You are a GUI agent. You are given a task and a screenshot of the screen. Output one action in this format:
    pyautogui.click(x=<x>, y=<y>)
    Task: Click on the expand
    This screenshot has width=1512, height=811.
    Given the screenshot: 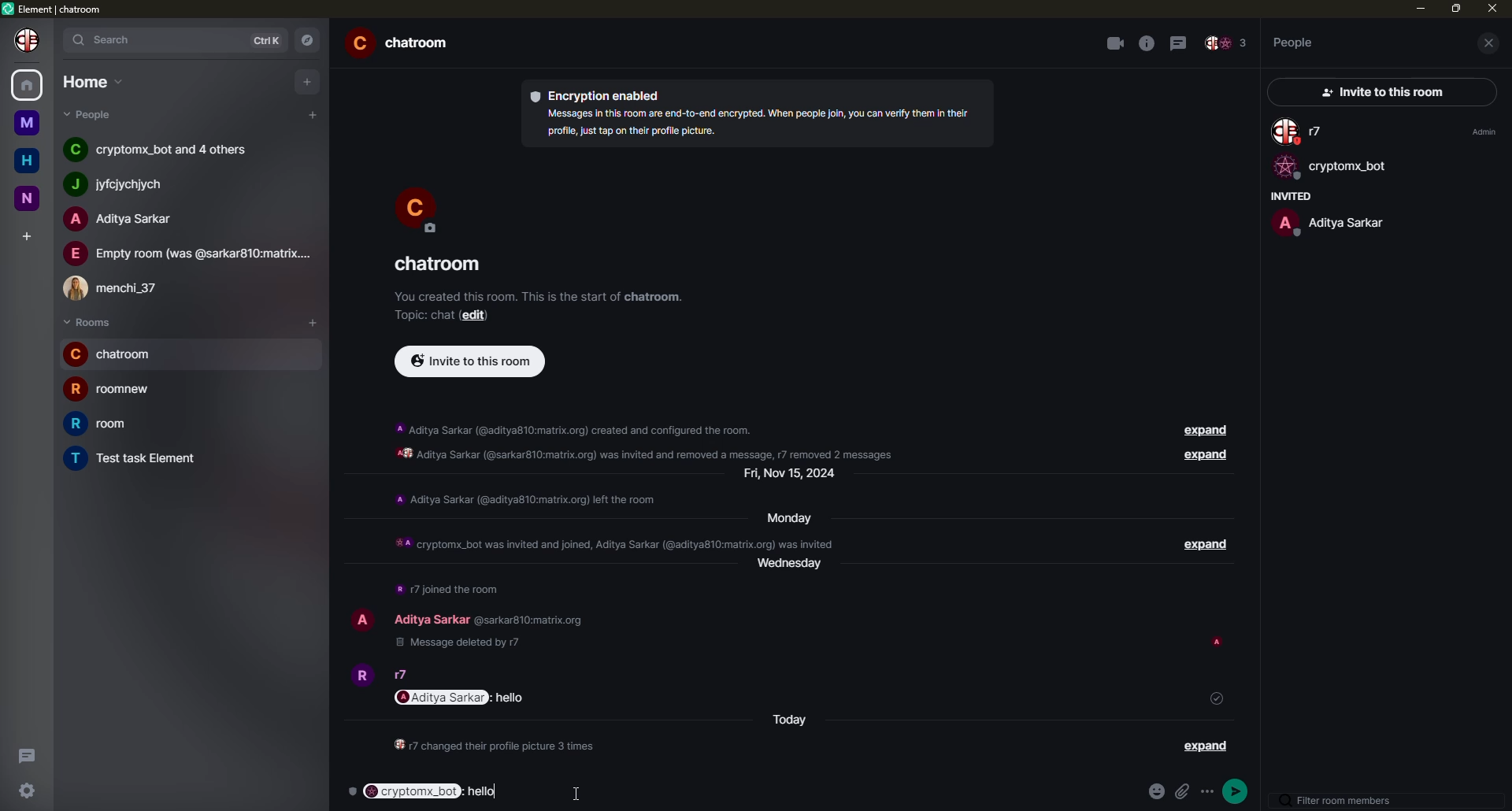 What is the action you would take?
    pyautogui.click(x=1200, y=457)
    